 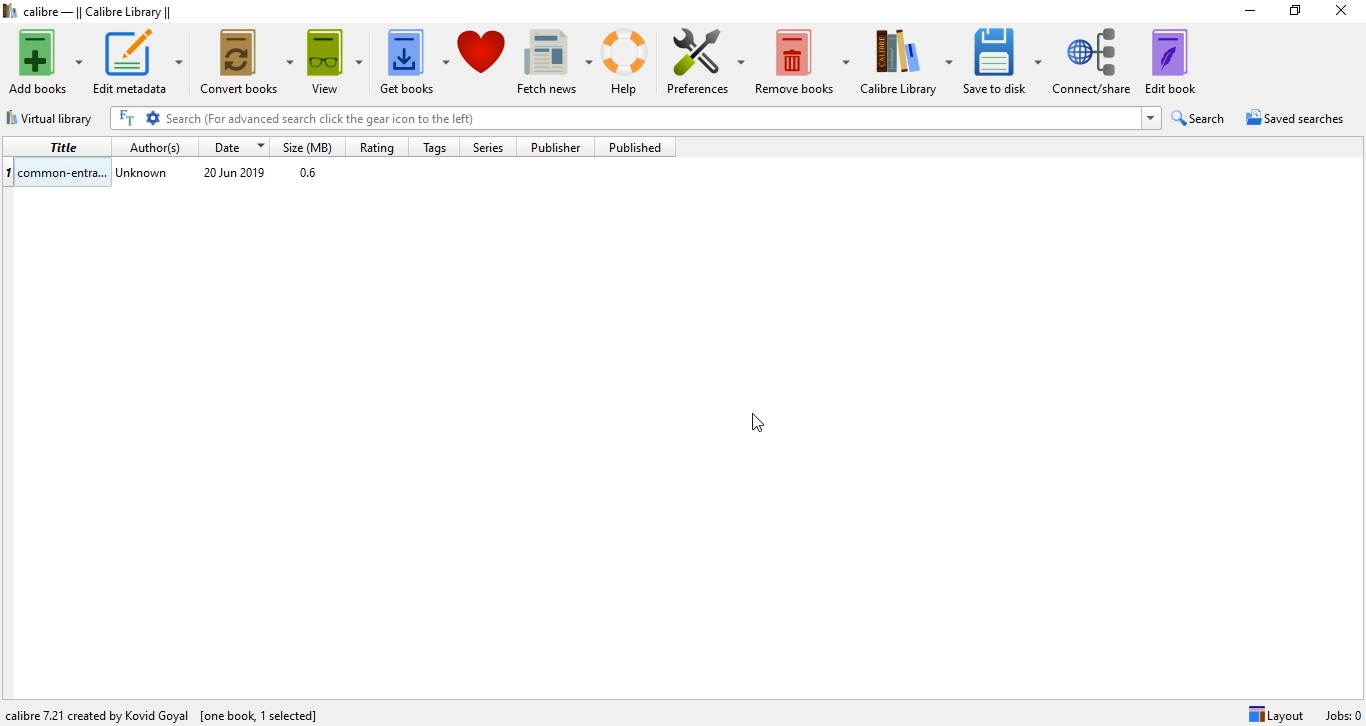 I want to click on Remove books, so click(x=805, y=56).